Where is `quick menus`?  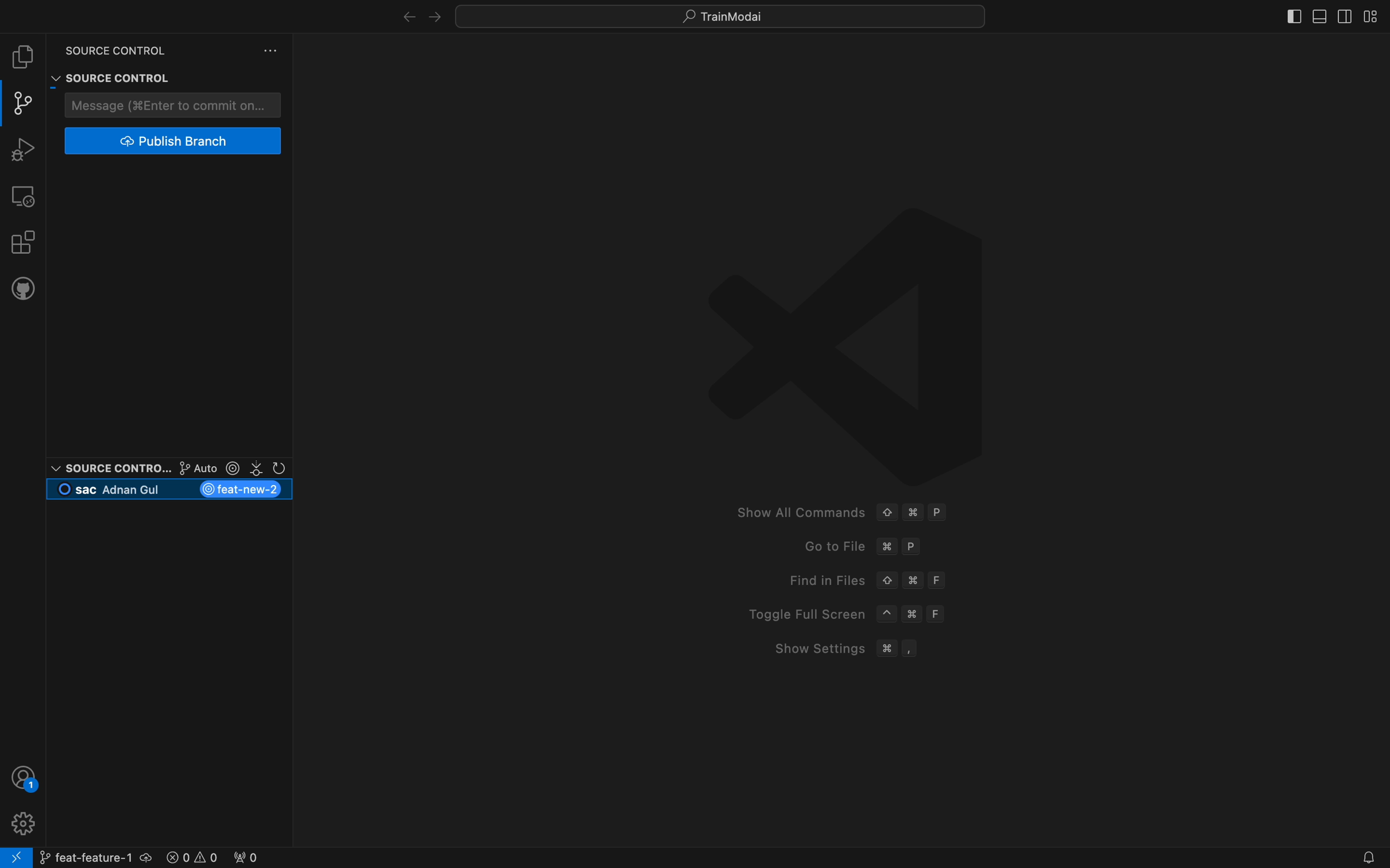
quick menus is located at coordinates (723, 15).